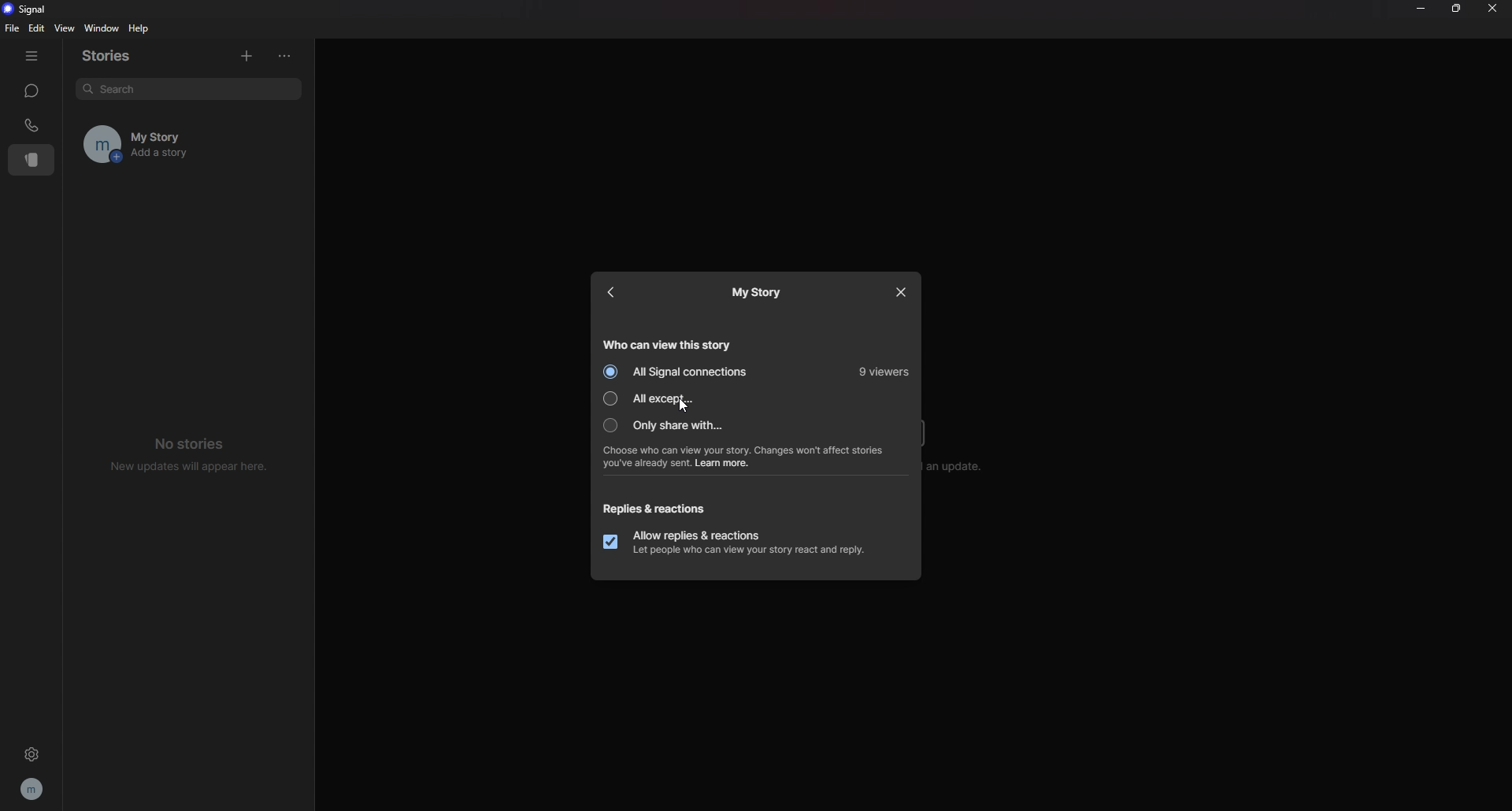 The image size is (1512, 811). I want to click on close, so click(899, 292).